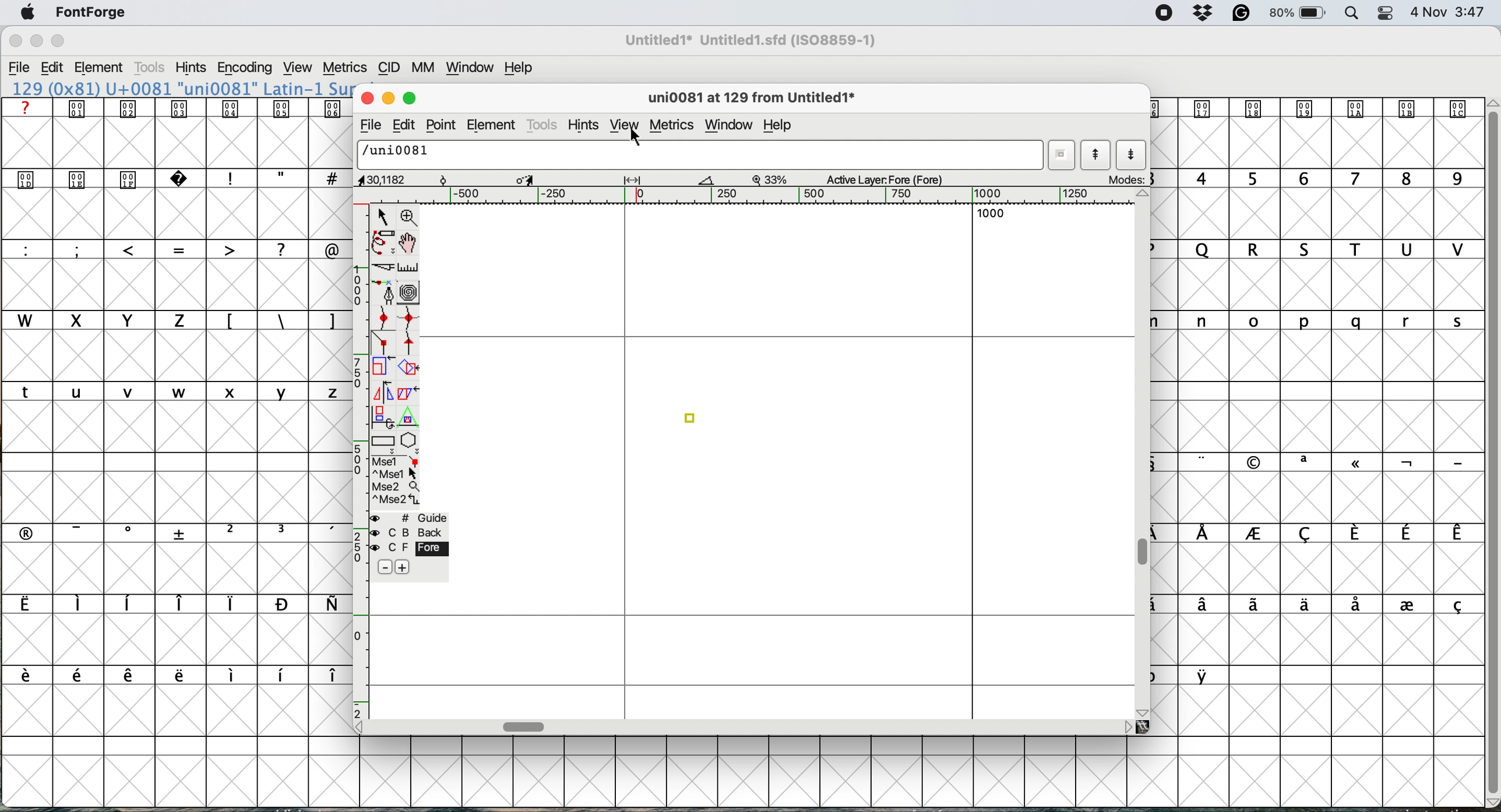  I want to click on Date, so click(1428, 12).